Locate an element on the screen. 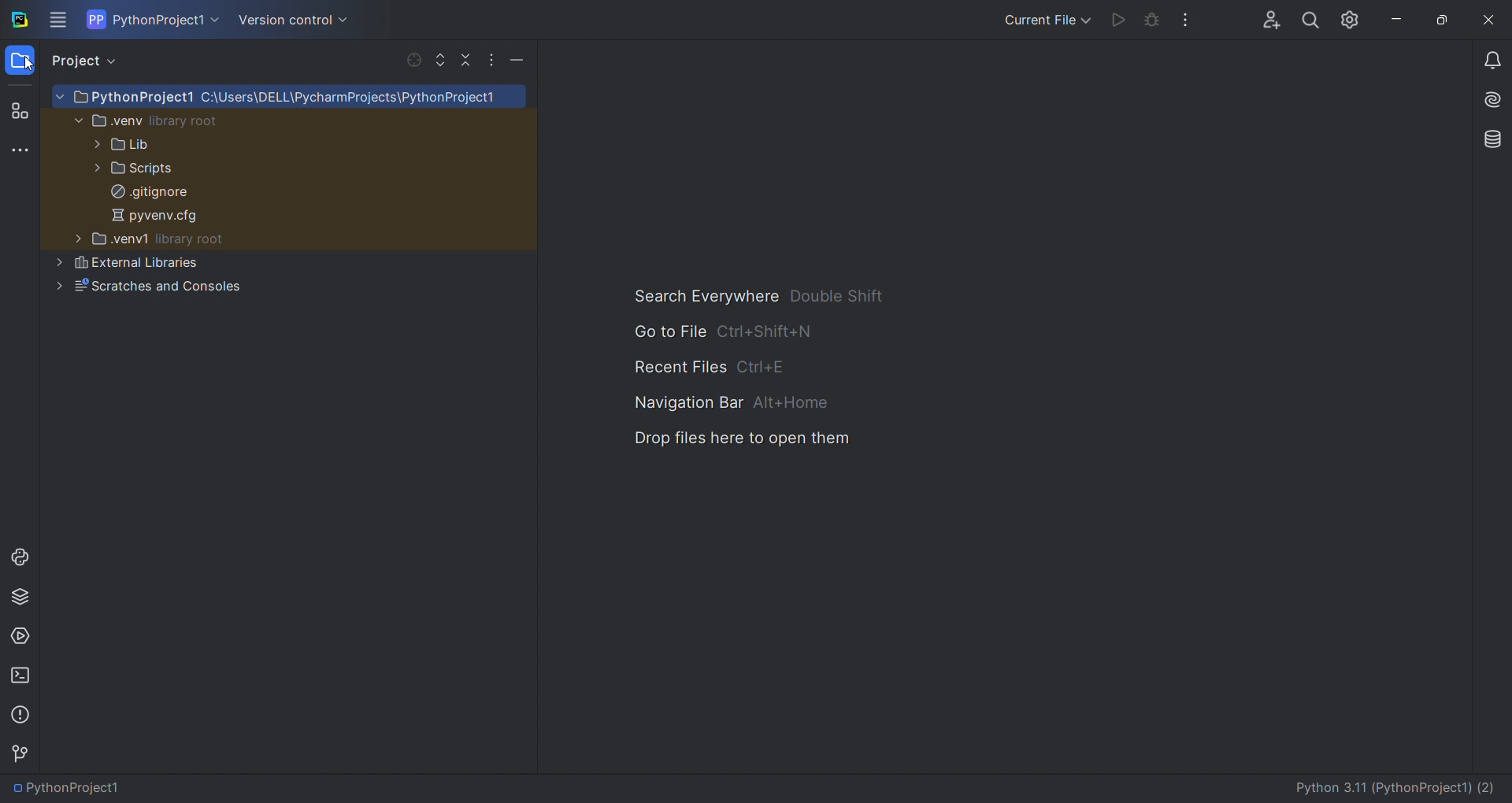 This screenshot has height=803, width=1512. run/debug options is located at coordinates (1038, 20).